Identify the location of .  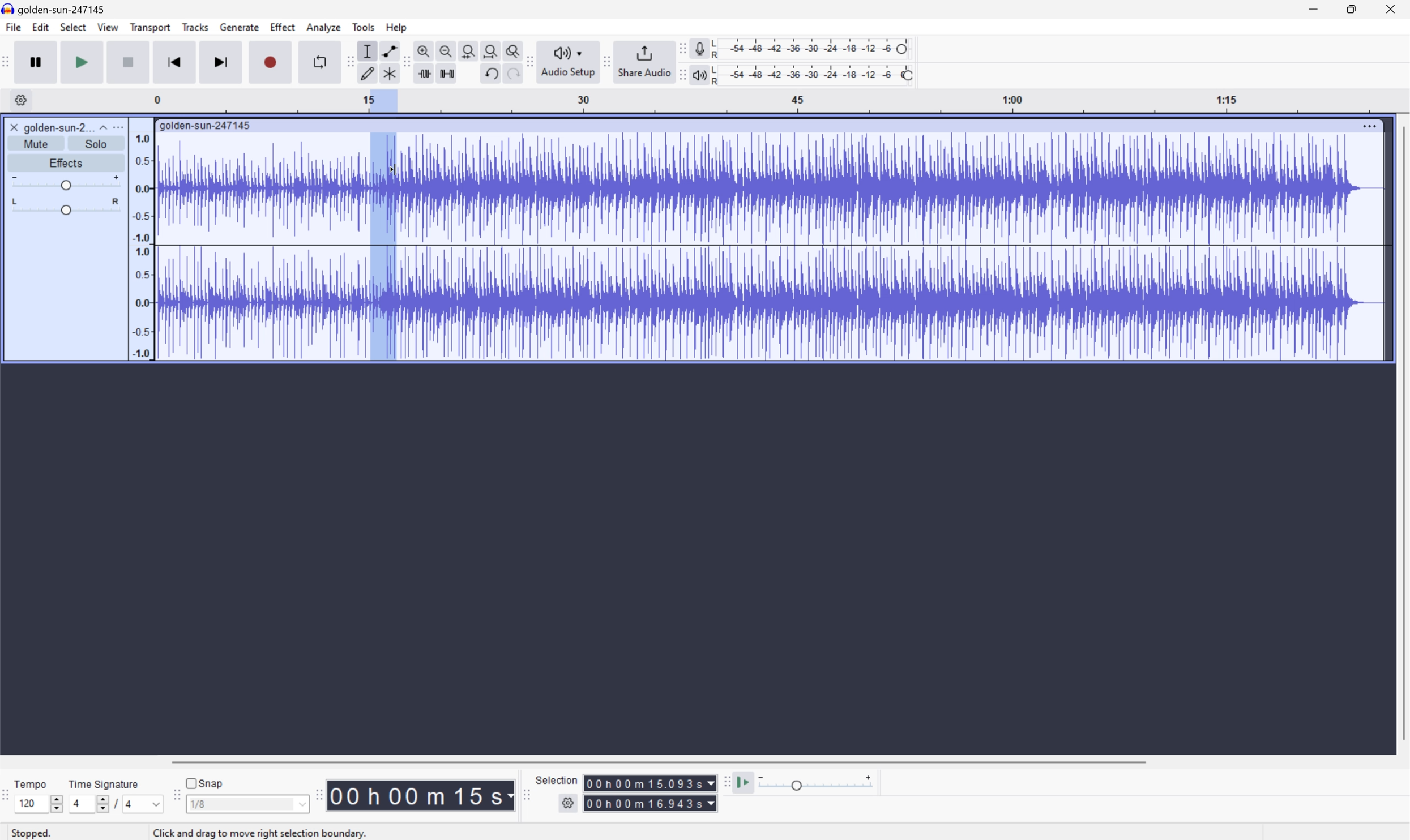
(55, 128).